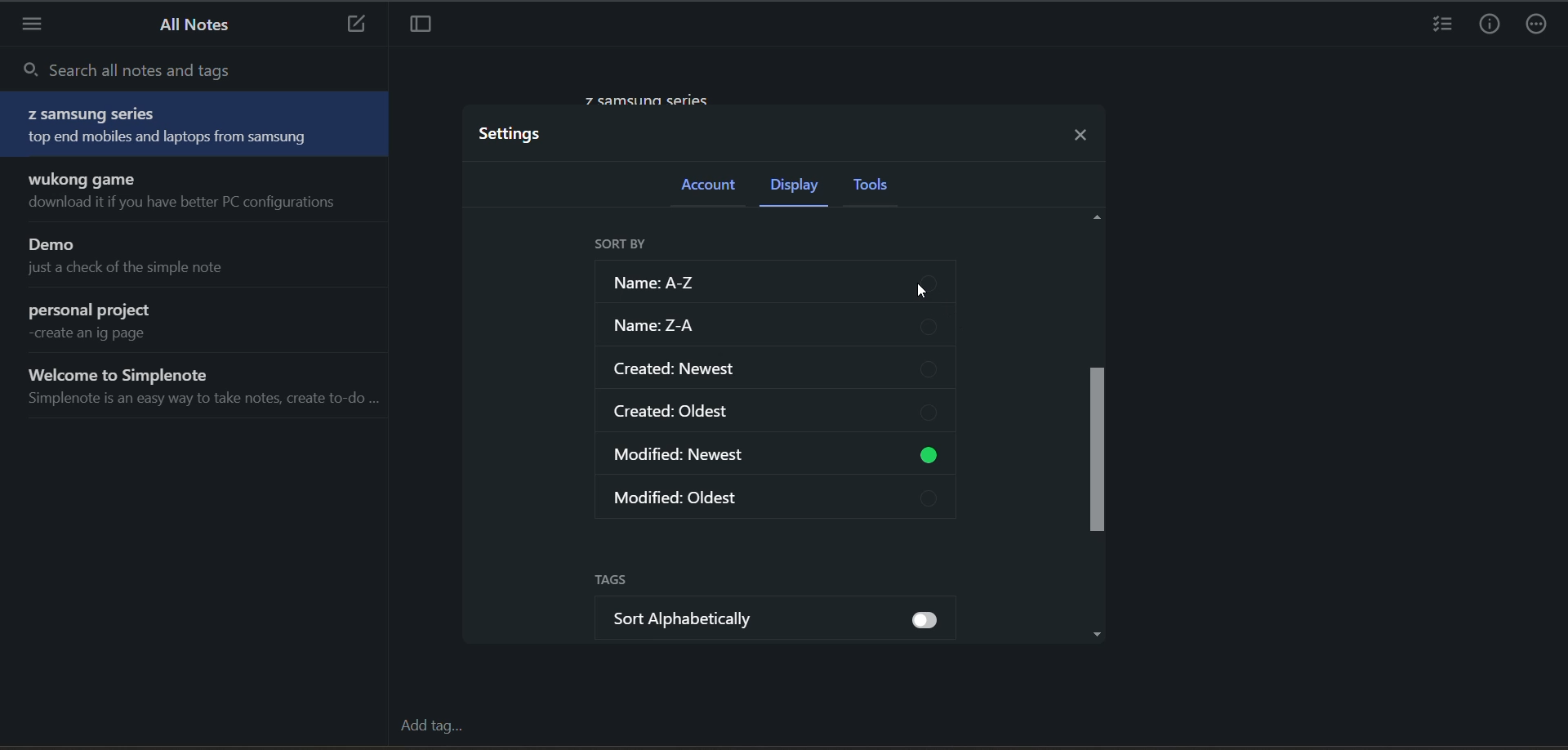 This screenshot has height=750, width=1568. Describe the element at coordinates (1084, 132) in the screenshot. I see `close` at that location.